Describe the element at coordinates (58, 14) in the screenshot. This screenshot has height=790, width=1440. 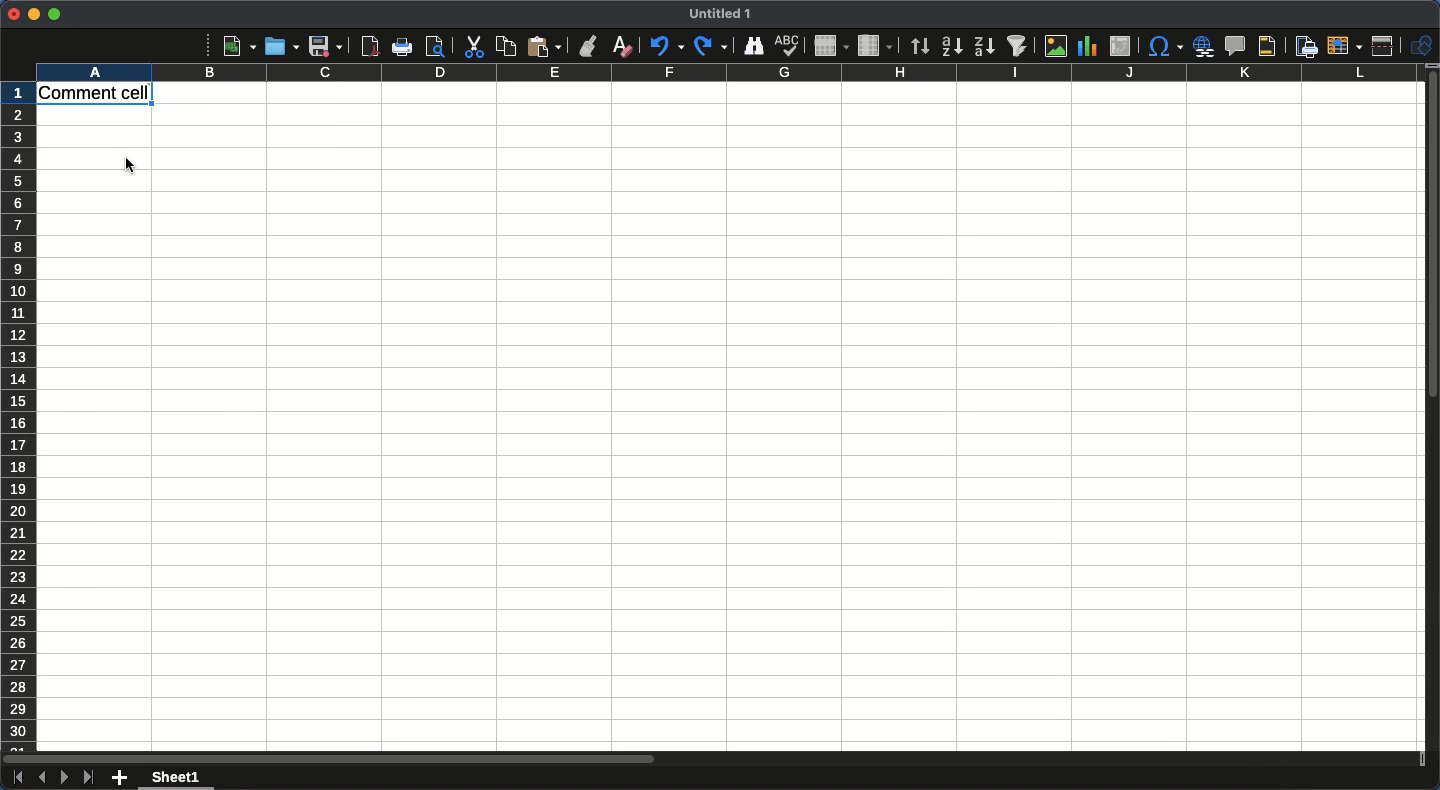
I see `Maximize` at that location.